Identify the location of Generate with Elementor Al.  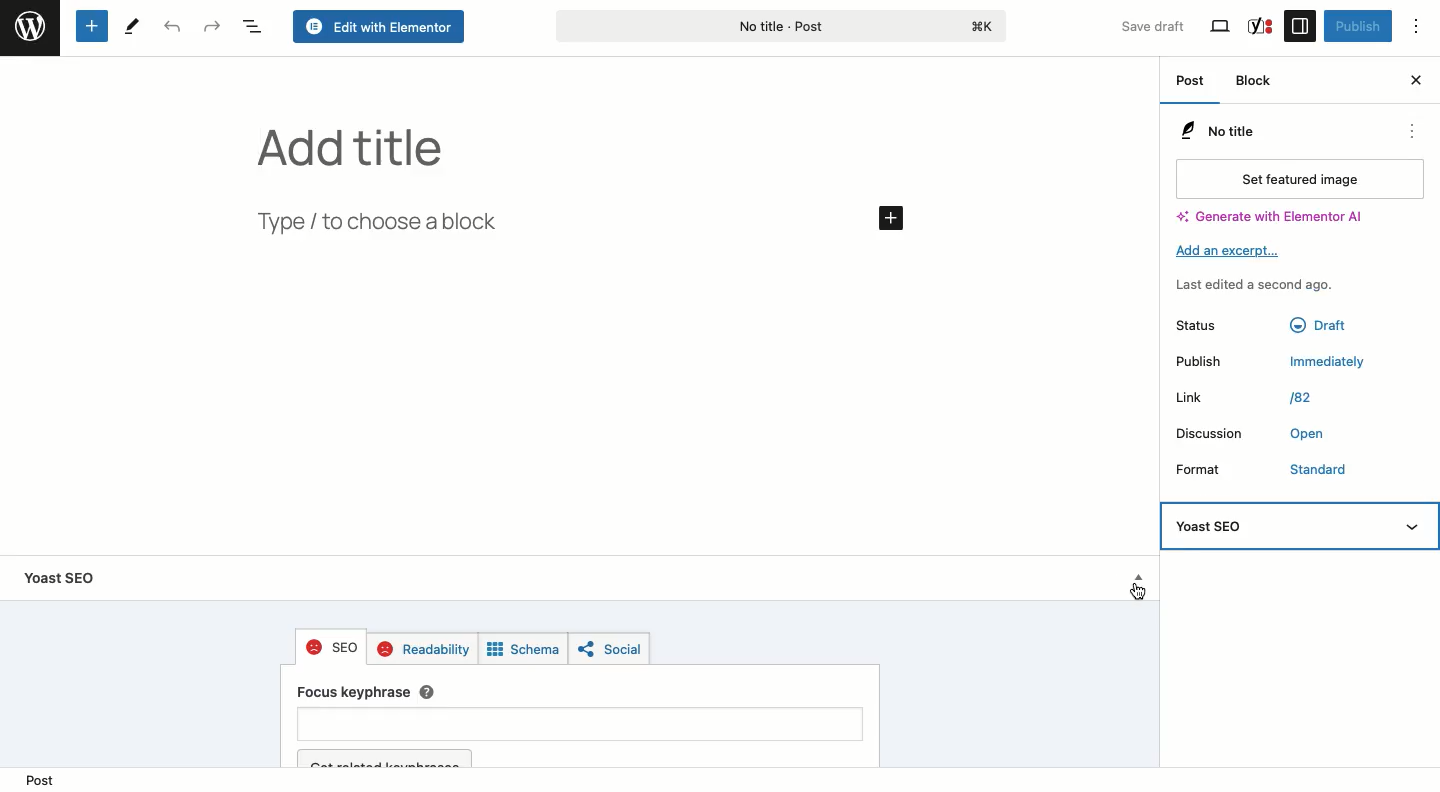
(1269, 217).